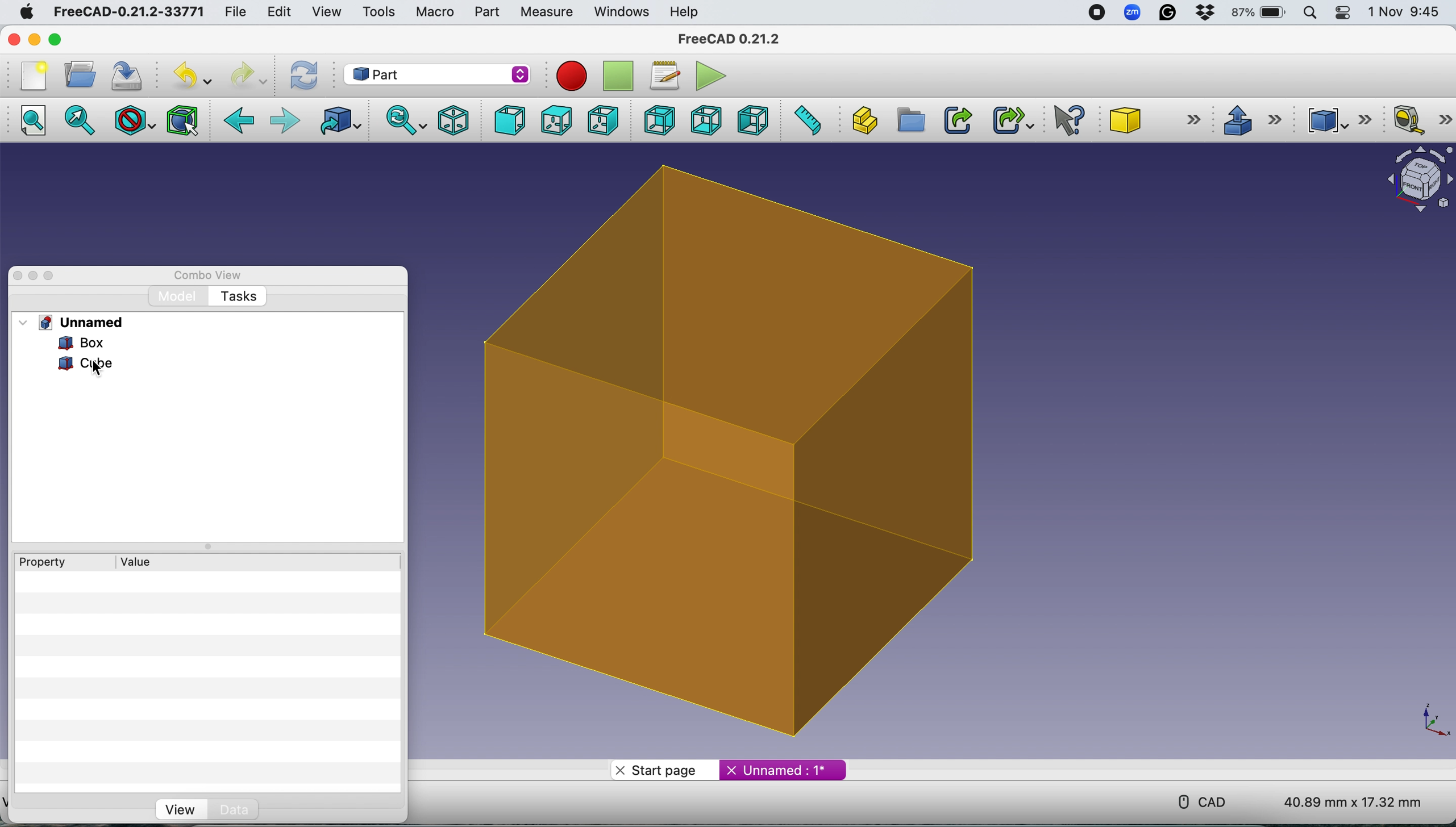 This screenshot has height=827, width=1456. I want to click on Measure linear, so click(1422, 122).